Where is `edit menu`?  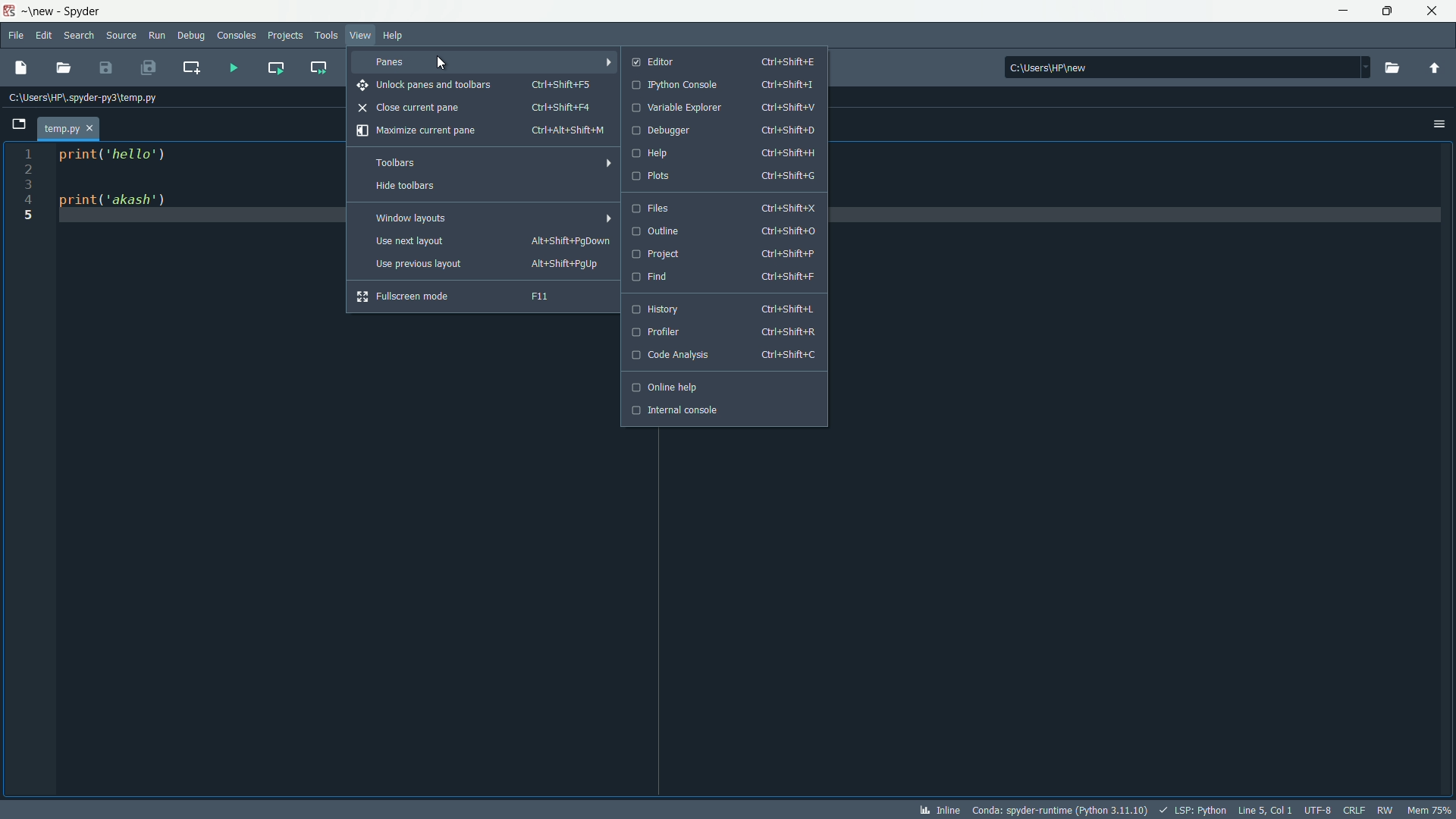
edit menu is located at coordinates (45, 36).